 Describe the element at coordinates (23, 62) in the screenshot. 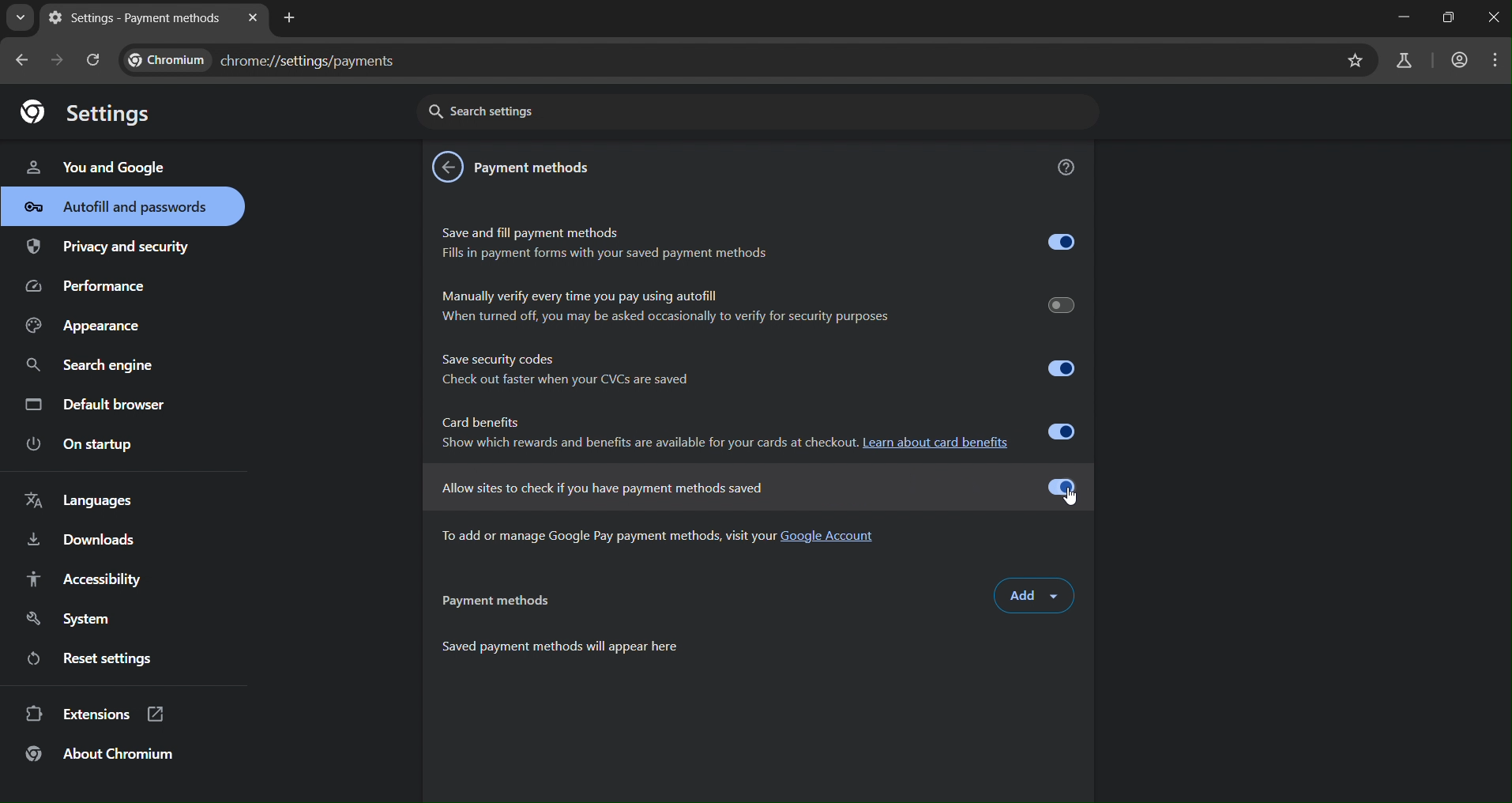

I see `go back one page` at that location.